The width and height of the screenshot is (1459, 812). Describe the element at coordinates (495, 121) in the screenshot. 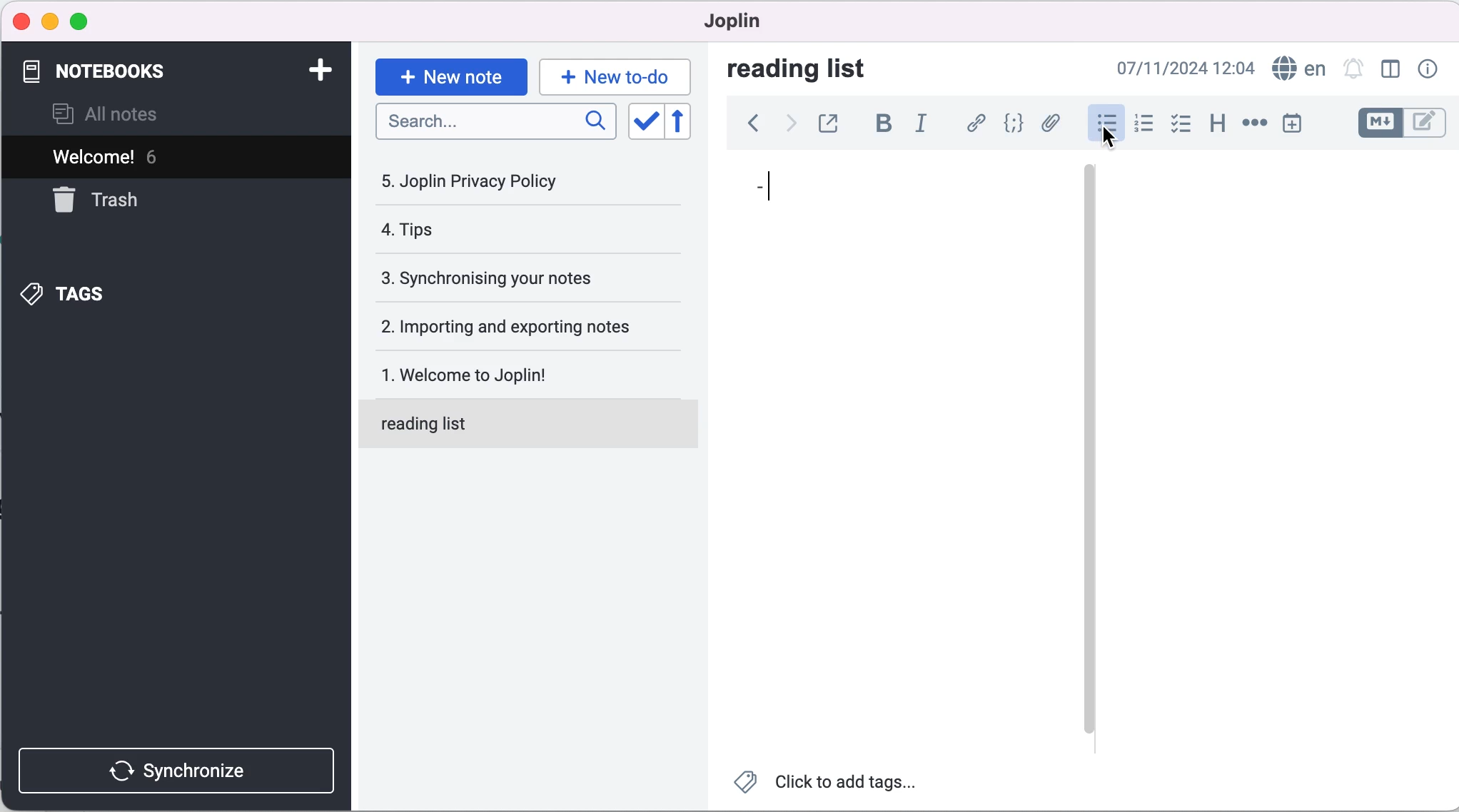

I see `search` at that location.